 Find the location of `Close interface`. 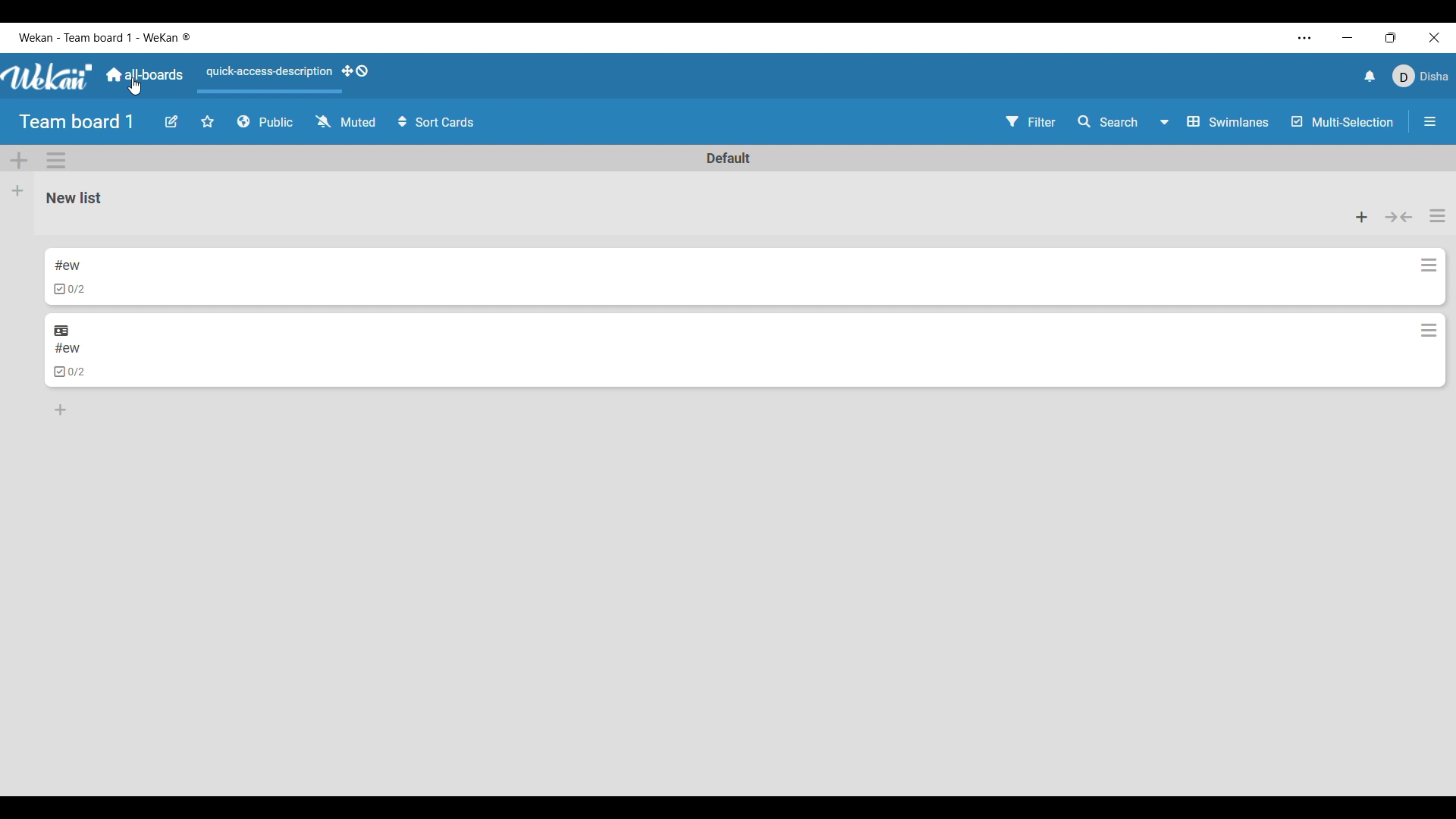

Close interface is located at coordinates (1435, 38).